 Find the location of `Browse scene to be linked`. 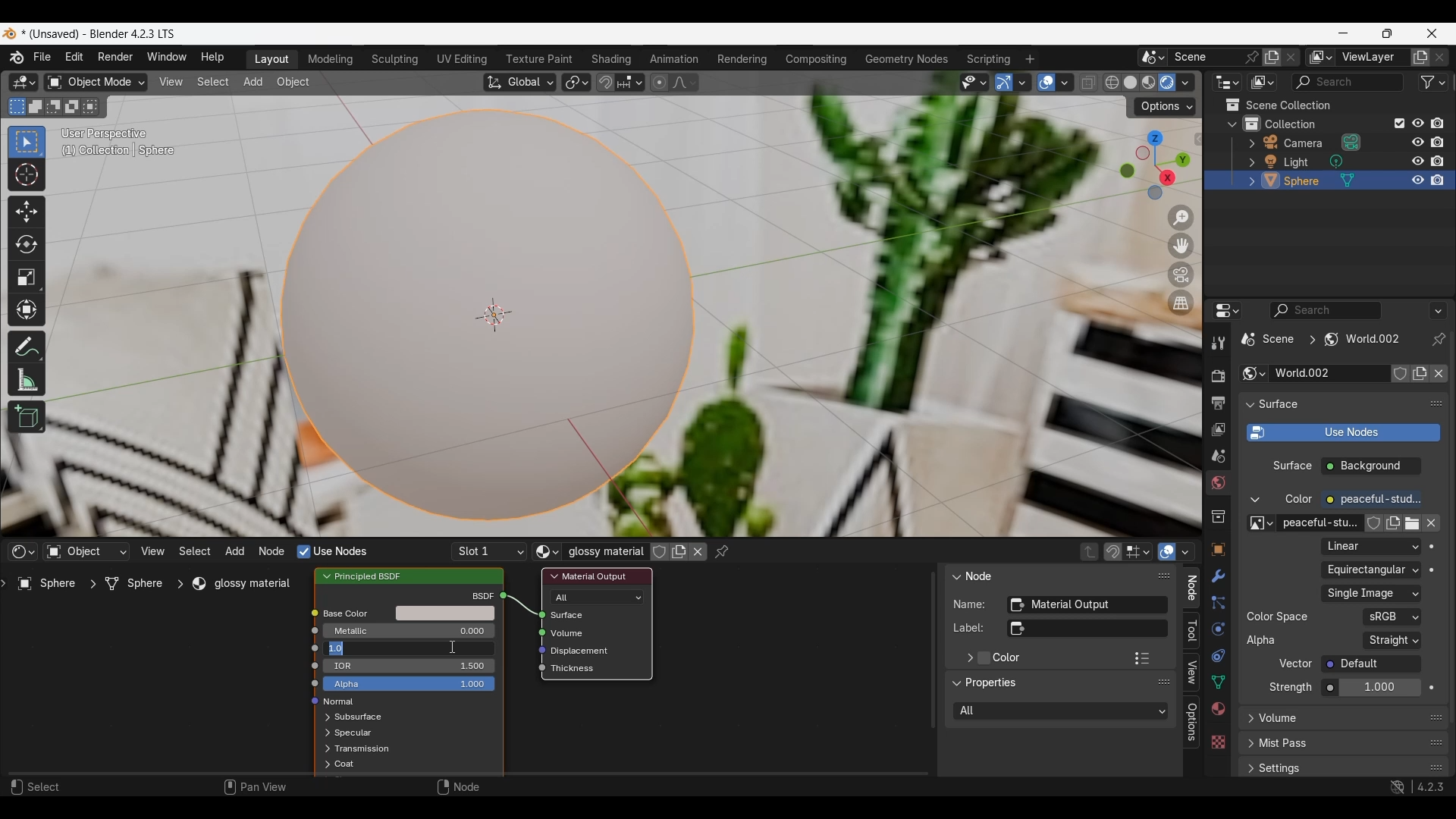

Browse scene to be linked is located at coordinates (1153, 58).